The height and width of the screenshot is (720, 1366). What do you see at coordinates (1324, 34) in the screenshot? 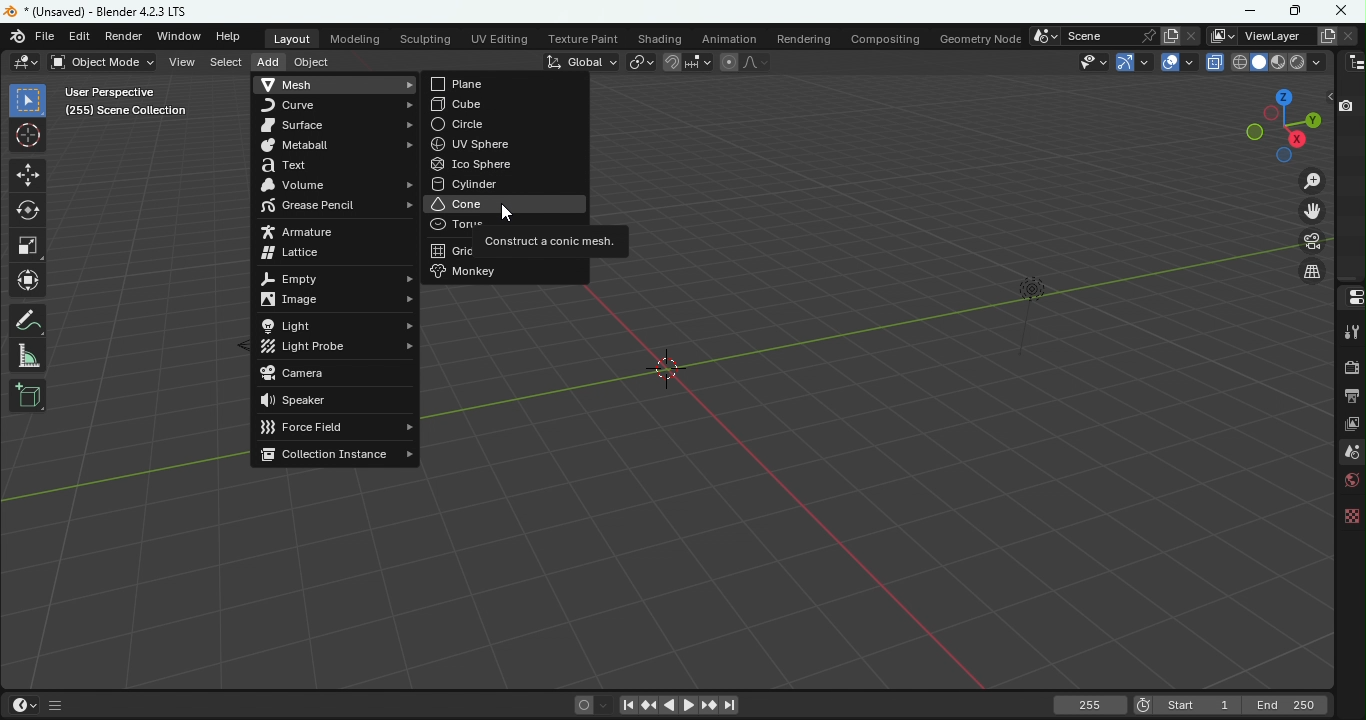
I see `Add view layer` at bounding box center [1324, 34].